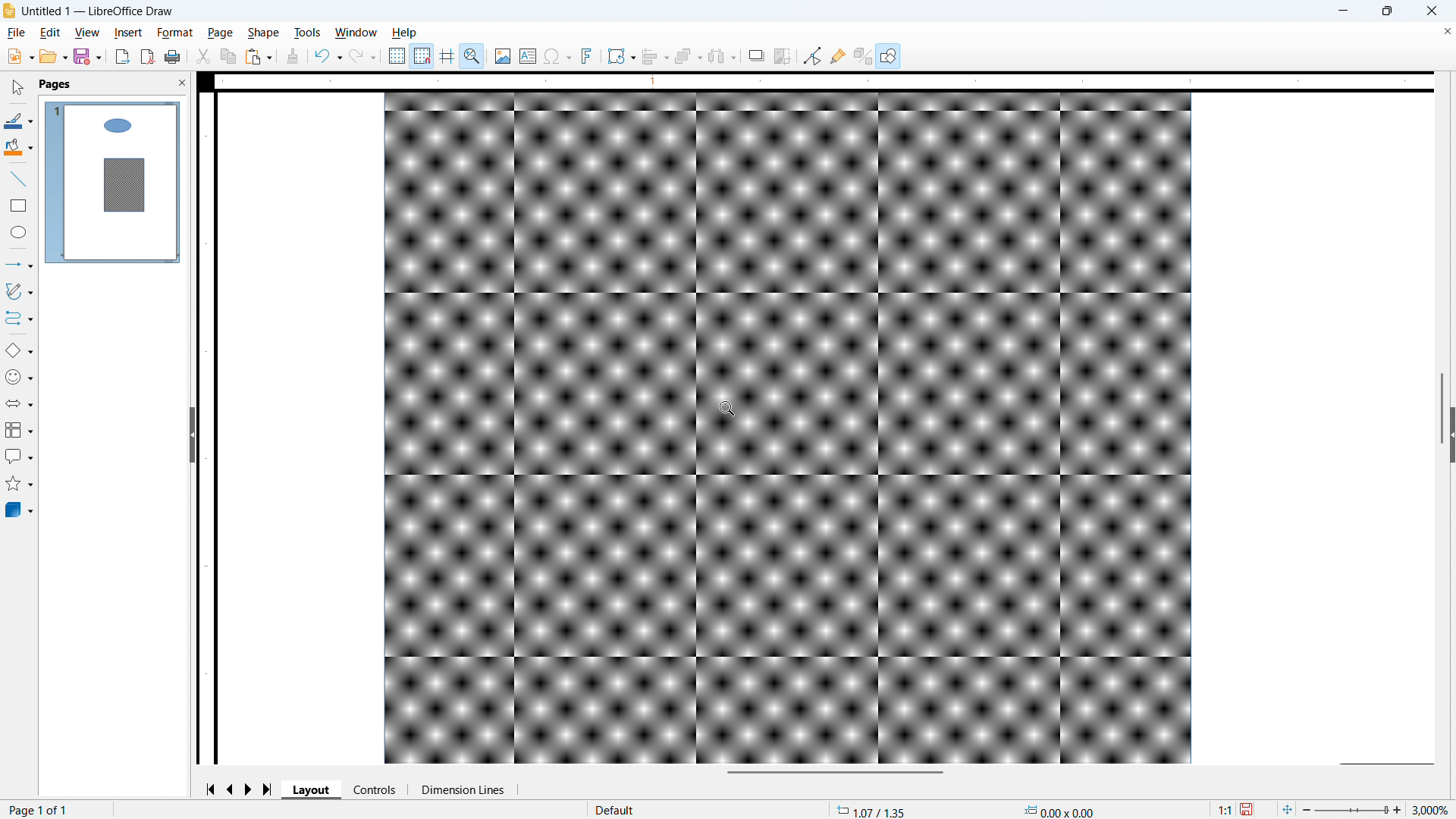 The width and height of the screenshot is (1456, 819). Describe the element at coordinates (220, 33) in the screenshot. I see `page ` at that location.